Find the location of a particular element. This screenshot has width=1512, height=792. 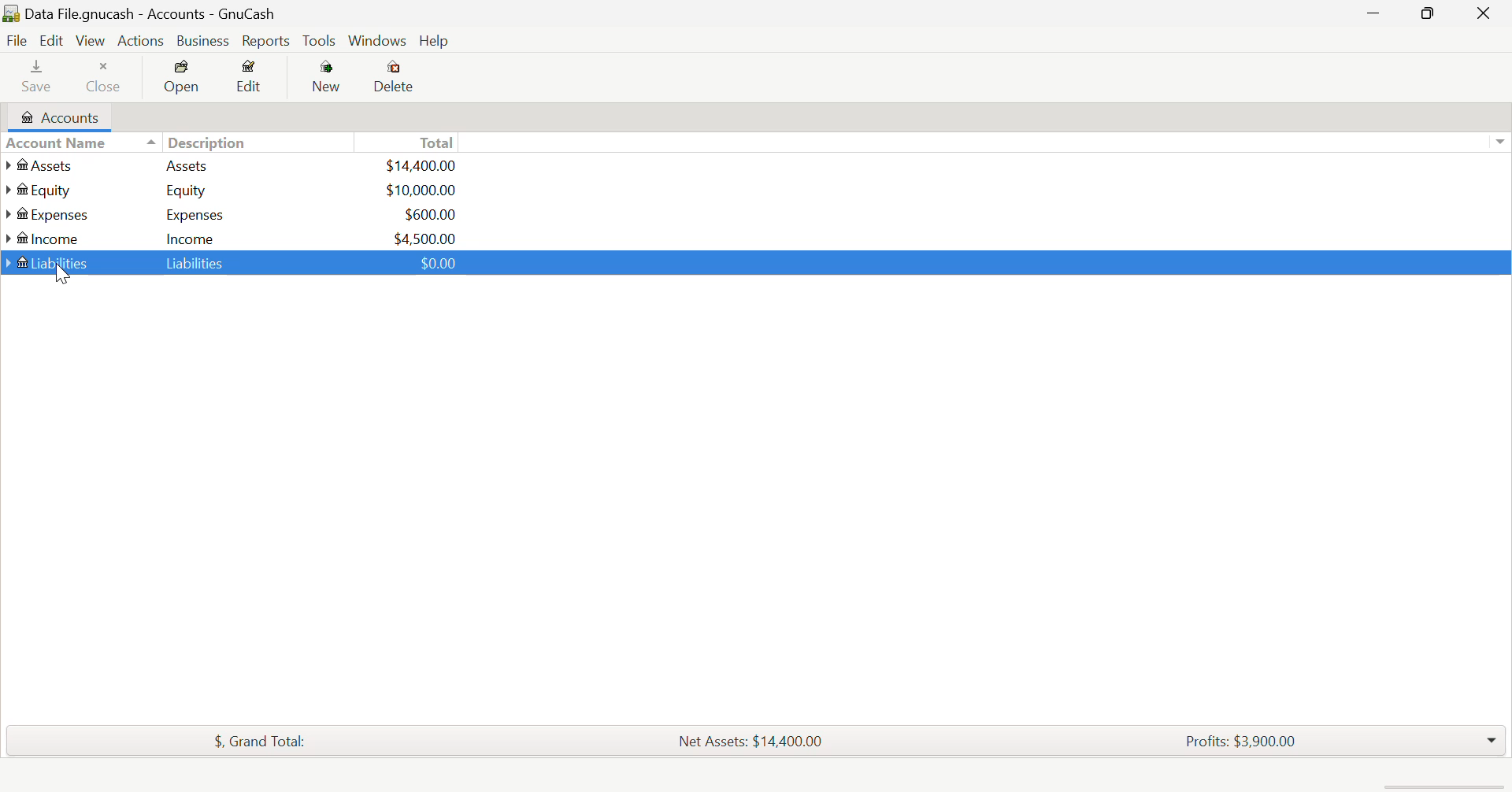

Description is located at coordinates (197, 141).